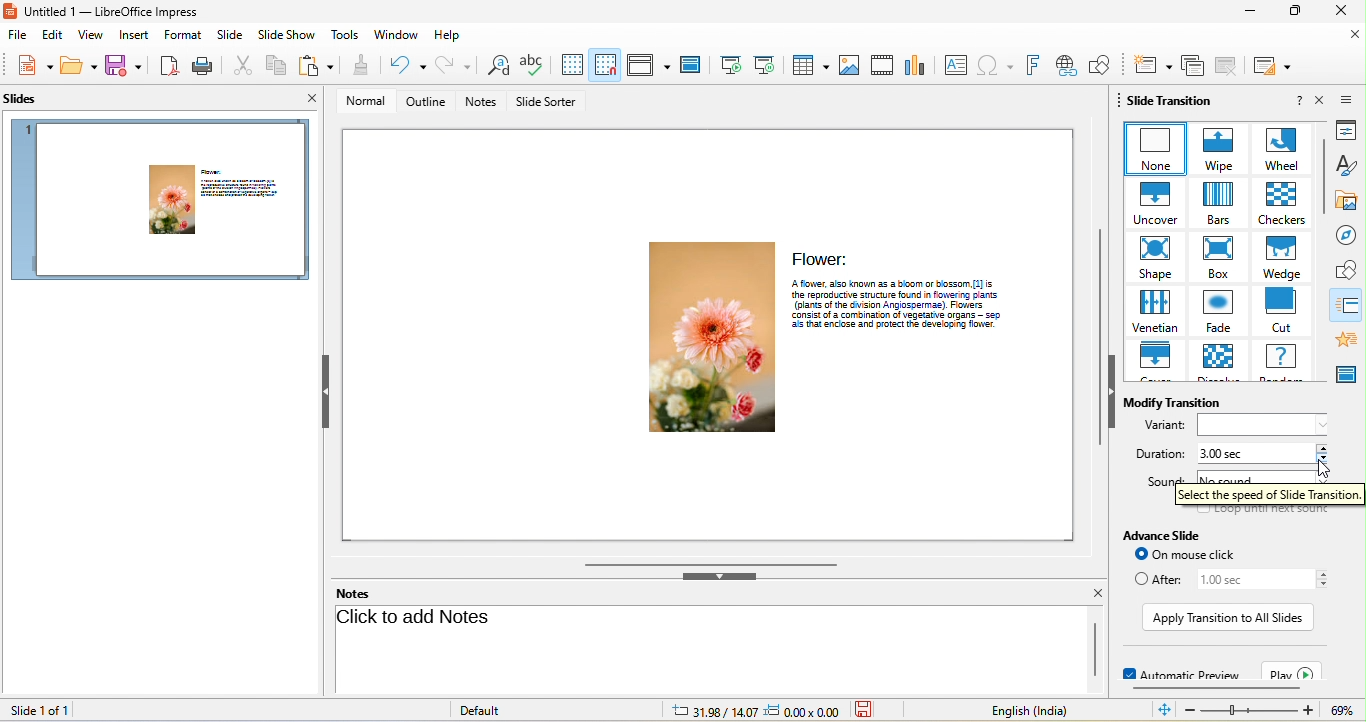  Describe the element at coordinates (314, 64) in the screenshot. I see `paste` at that location.